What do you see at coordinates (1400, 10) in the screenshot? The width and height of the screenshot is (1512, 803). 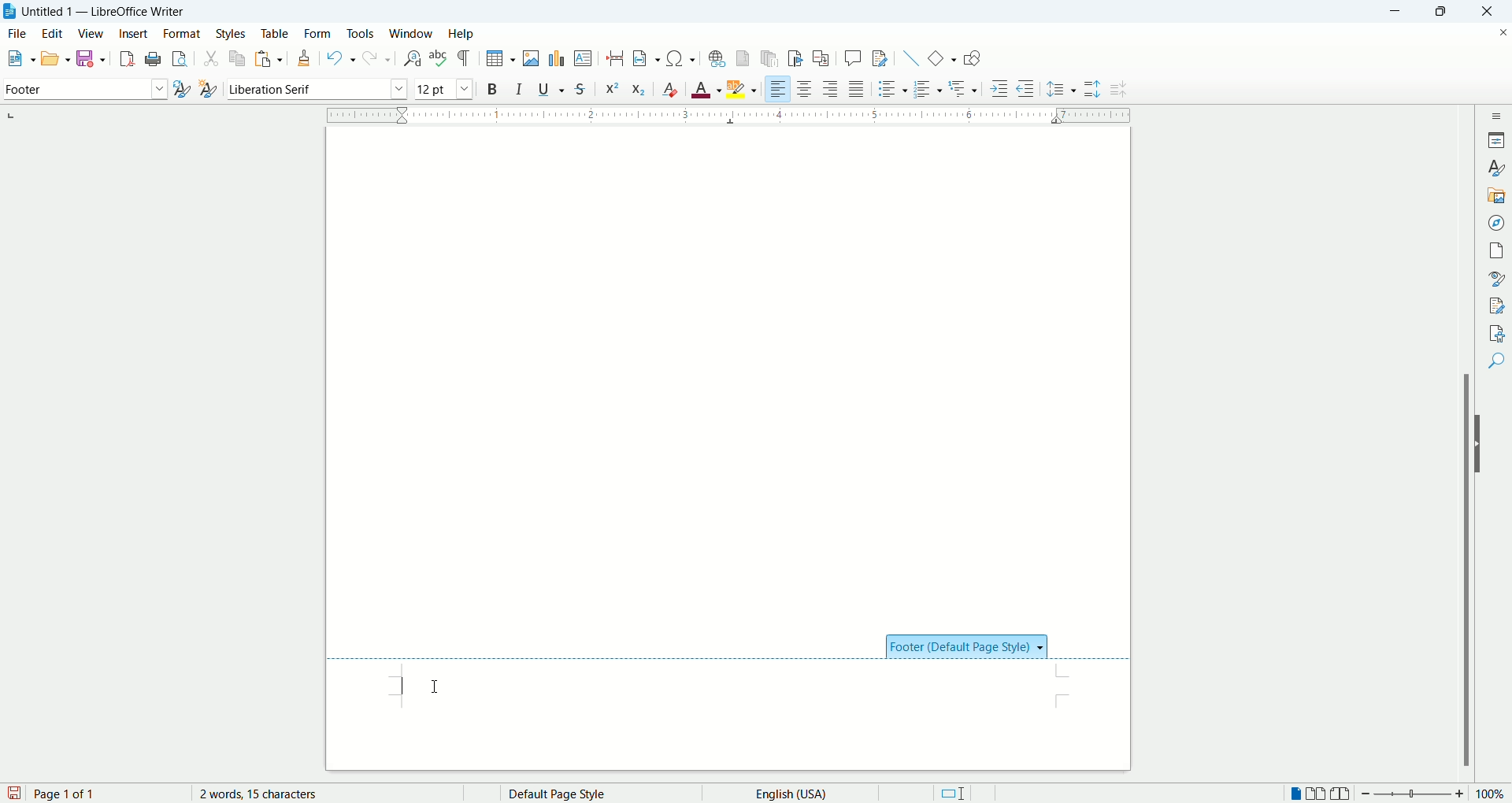 I see `minimize` at bounding box center [1400, 10].